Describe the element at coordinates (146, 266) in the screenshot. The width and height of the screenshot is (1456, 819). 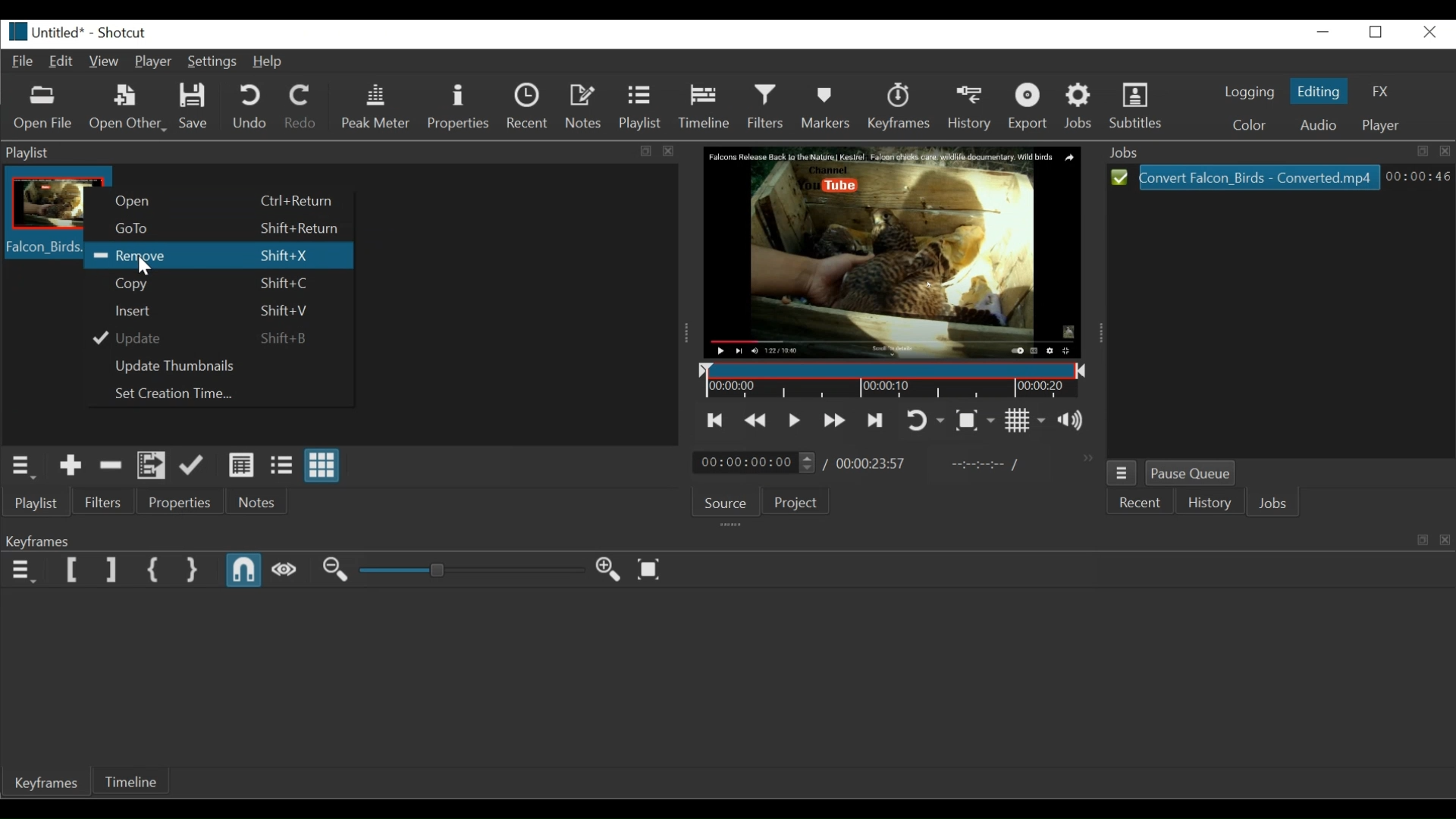
I see `Pointer` at that location.